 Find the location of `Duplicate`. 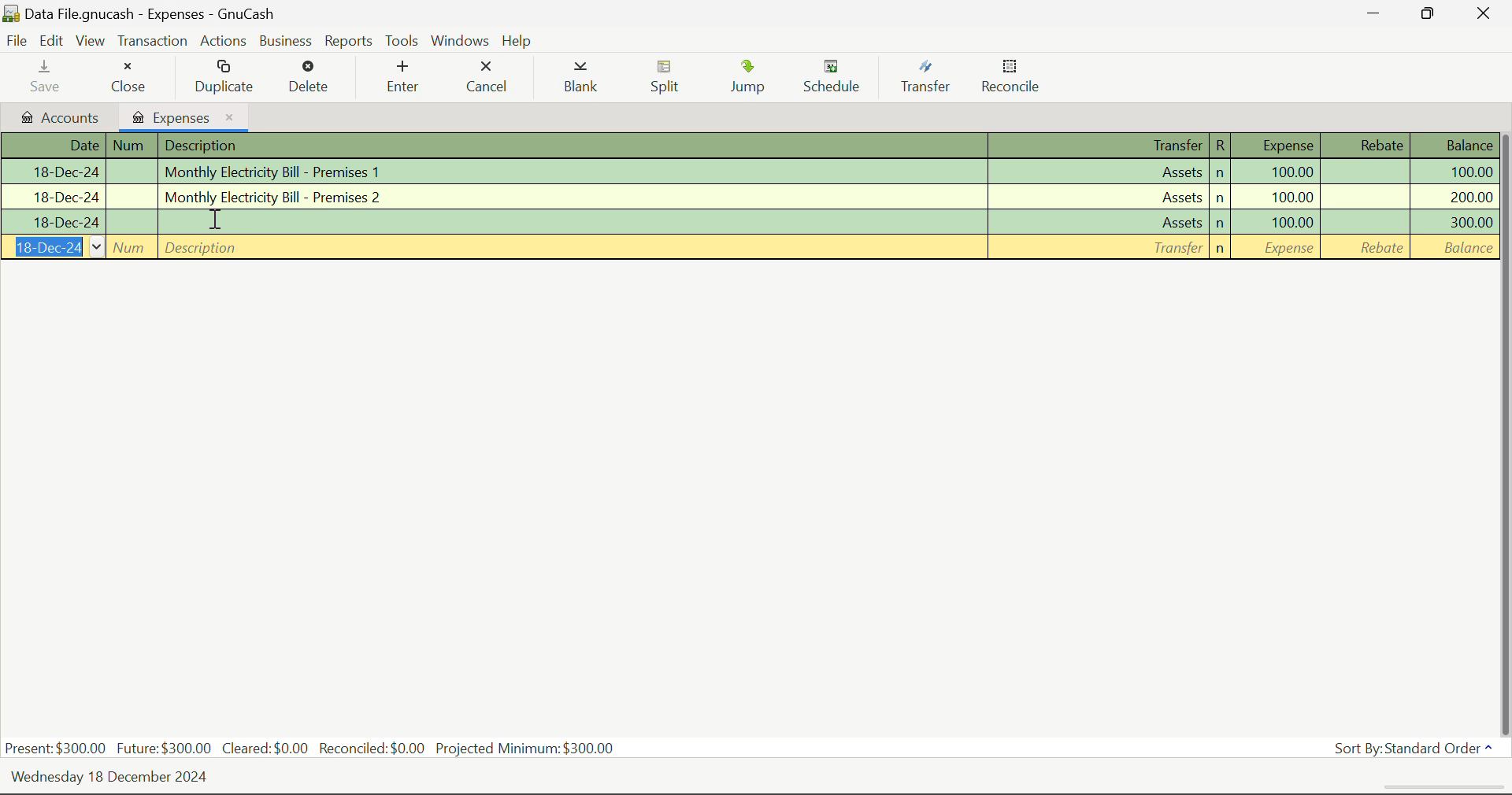

Duplicate is located at coordinates (225, 78).